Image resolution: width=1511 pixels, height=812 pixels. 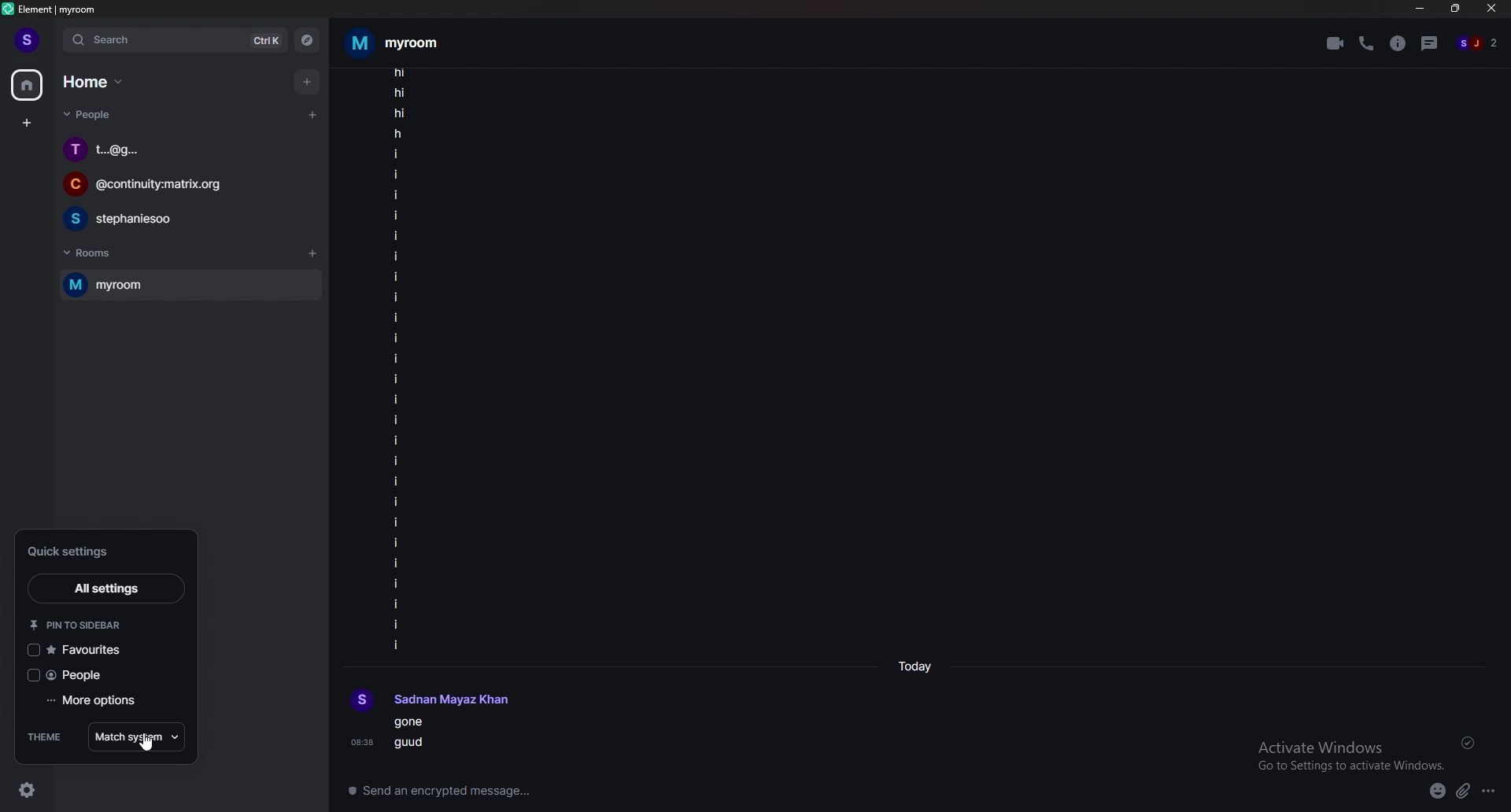 What do you see at coordinates (185, 149) in the screenshot?
I see `chat` at bounding box center [185, 149].